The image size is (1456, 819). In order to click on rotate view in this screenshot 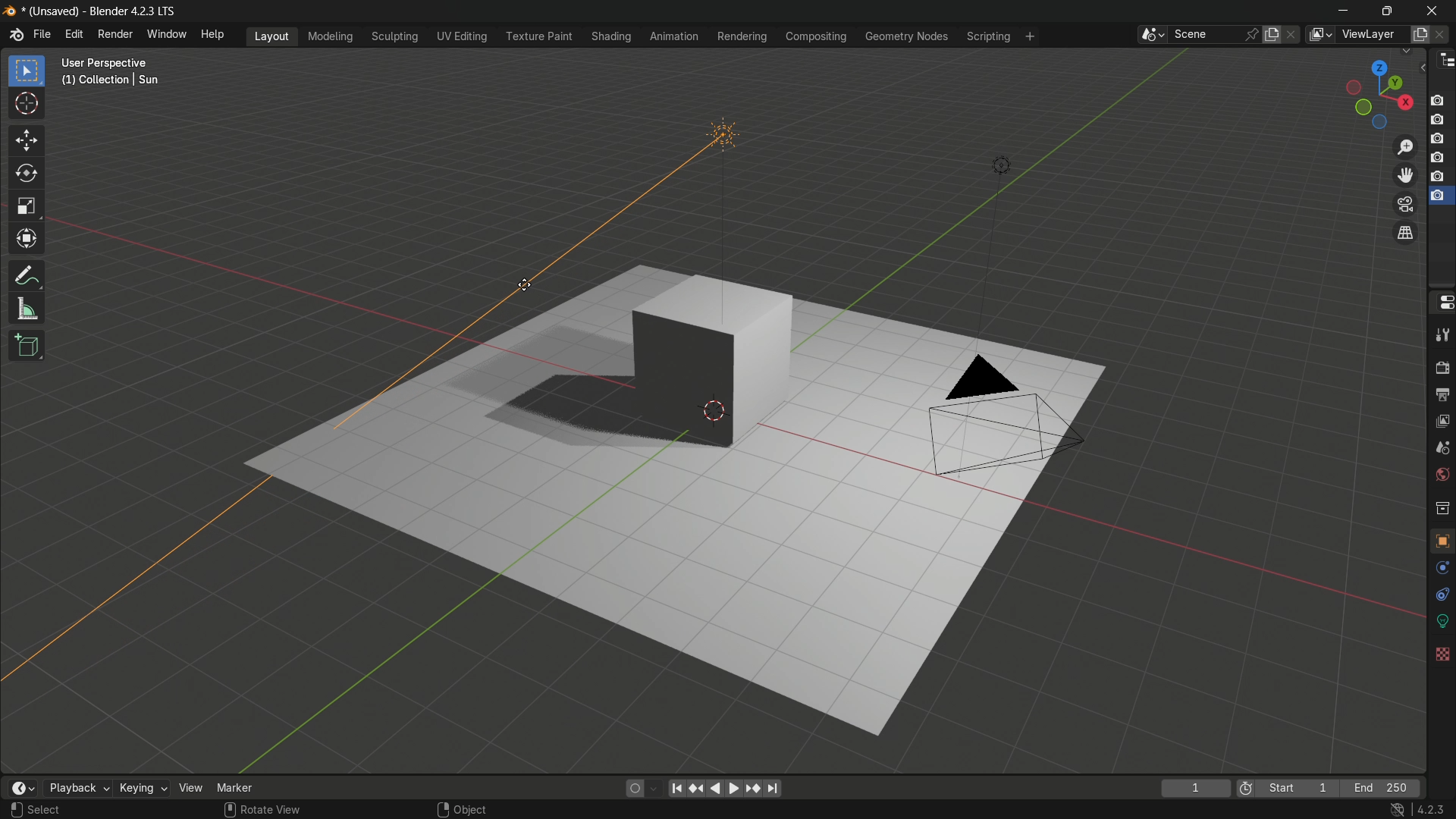, I will do `click(272, 810)`.